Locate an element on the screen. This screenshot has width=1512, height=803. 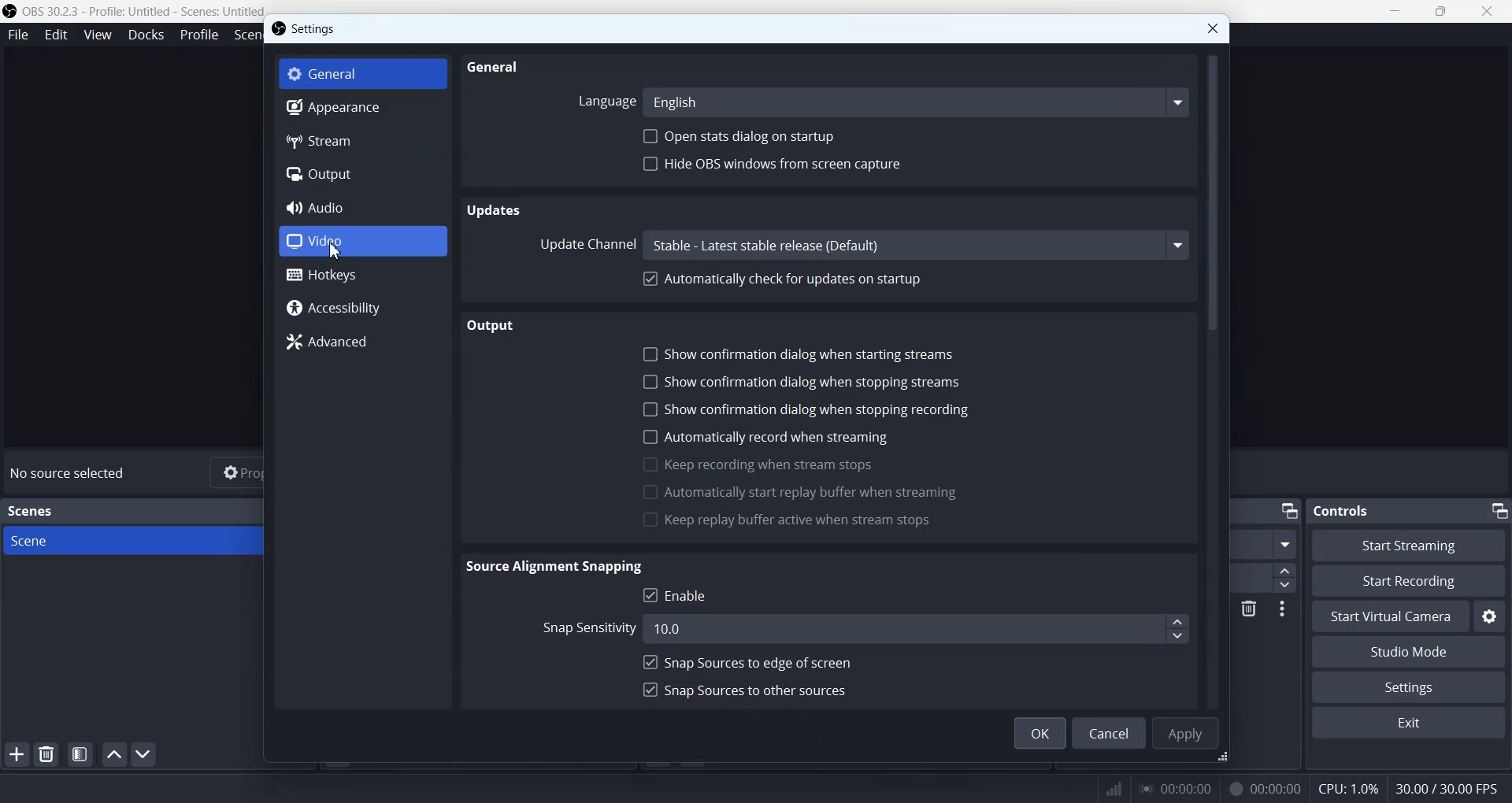
Accessibility is located at coordinates (364, 307).